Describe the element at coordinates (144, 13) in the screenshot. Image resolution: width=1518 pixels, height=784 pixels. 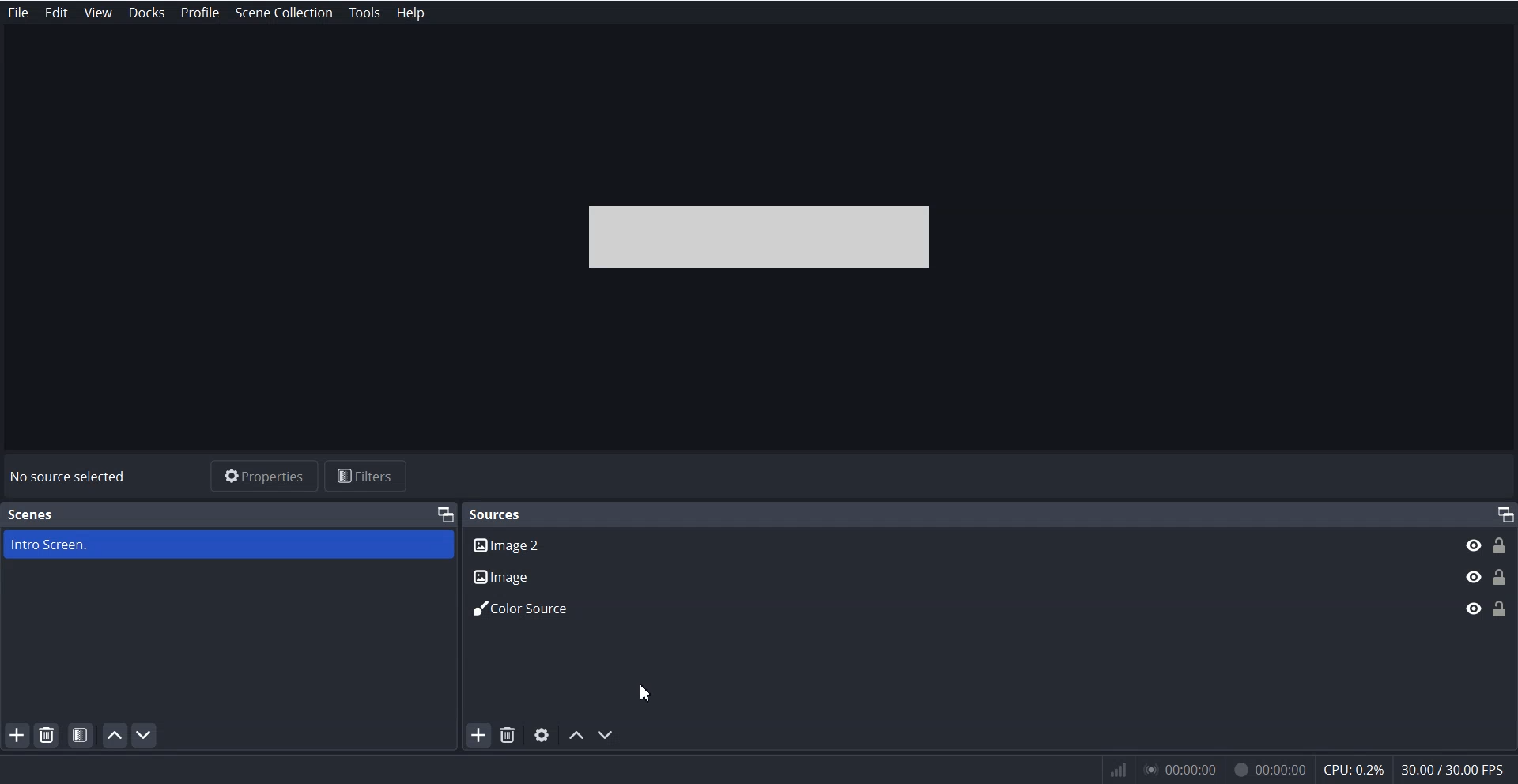
I see `Docks` at that location.